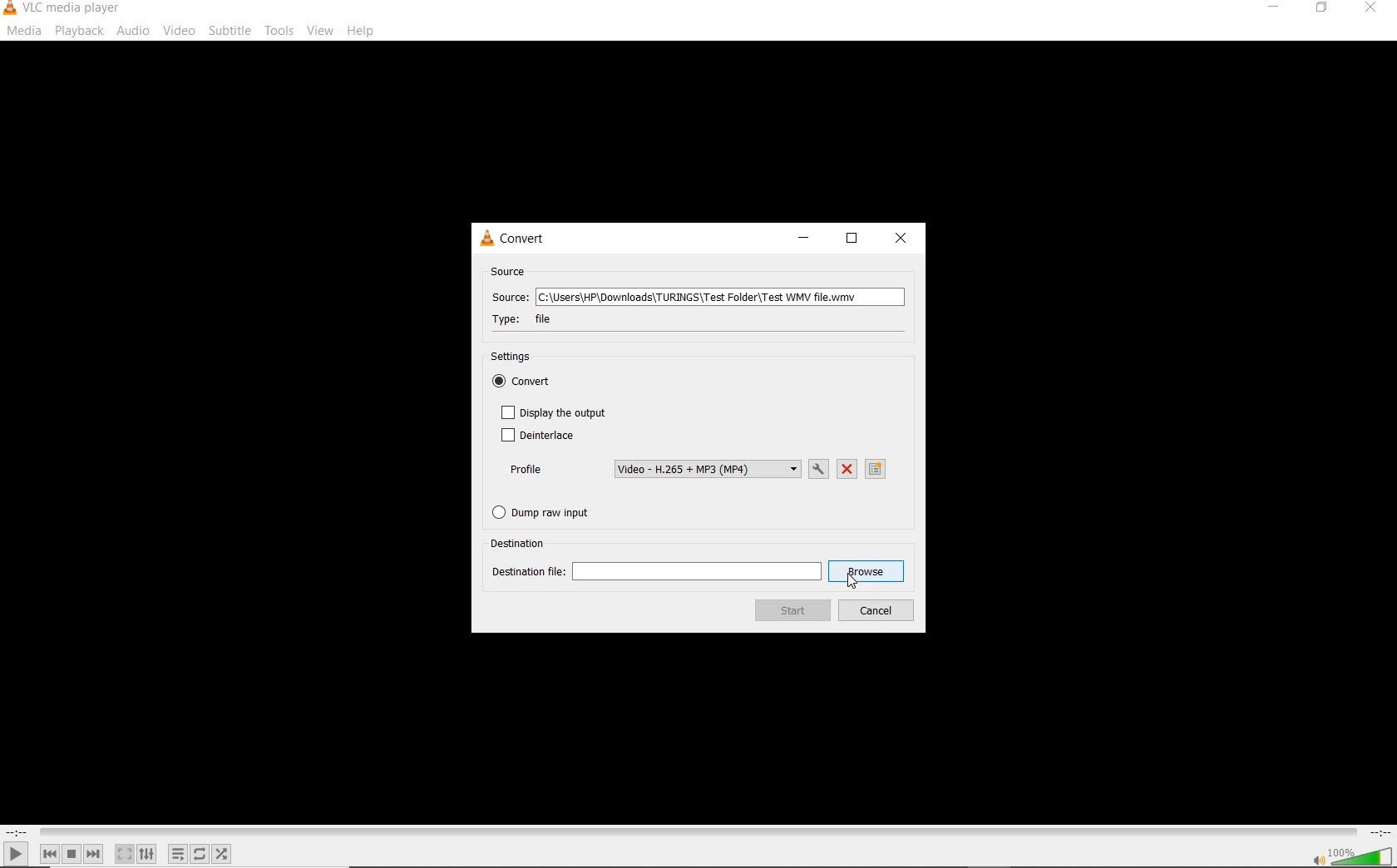  Describe the element at coordinates (695, 298) in the screenshot. I see `SOURCE: test WMV file.wmv` at that location.